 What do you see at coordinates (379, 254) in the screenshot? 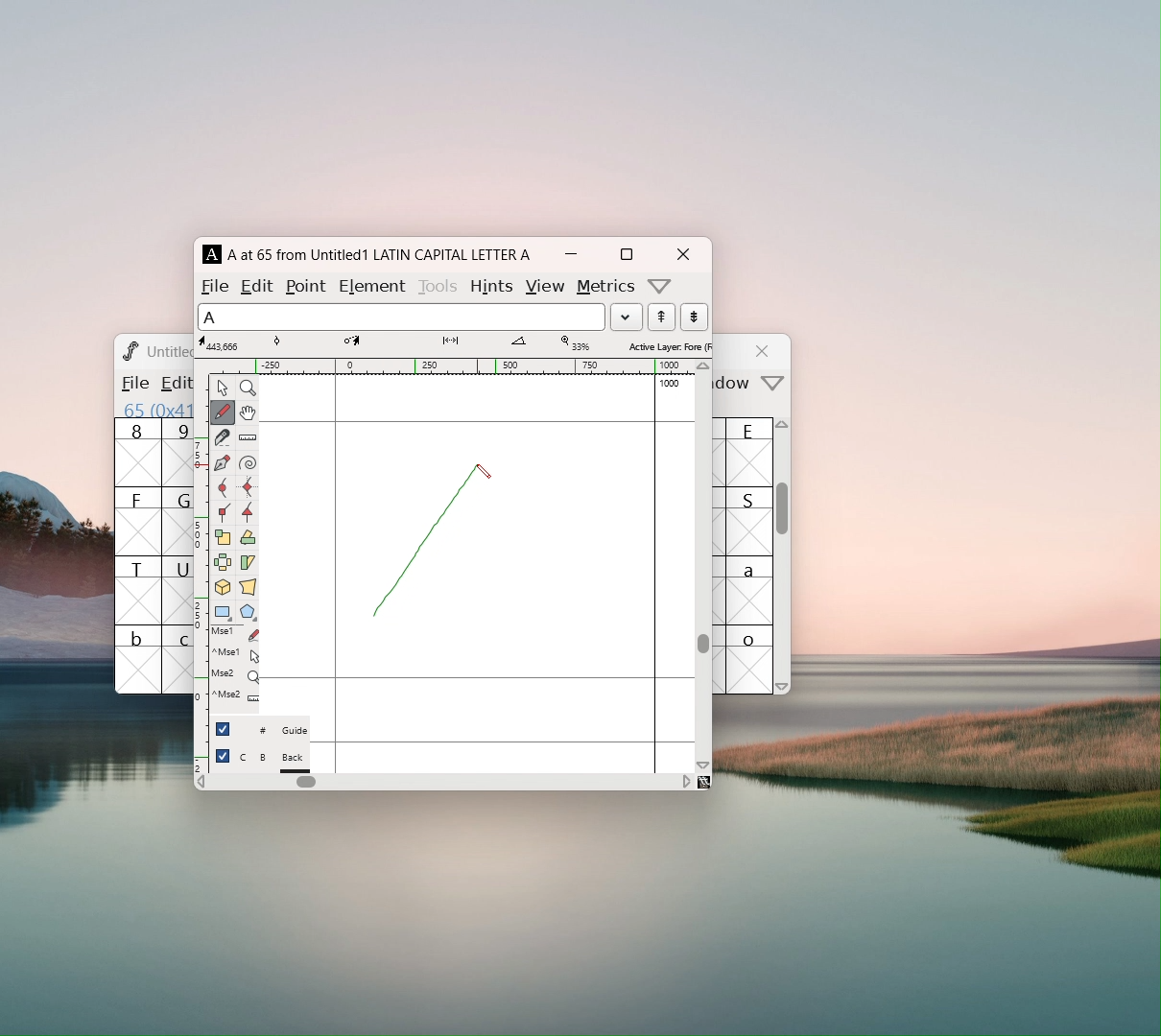
I see `A at 65 from Untitled1 LATIN CAPITAL LETTER A` at bounding box center [379, 254].